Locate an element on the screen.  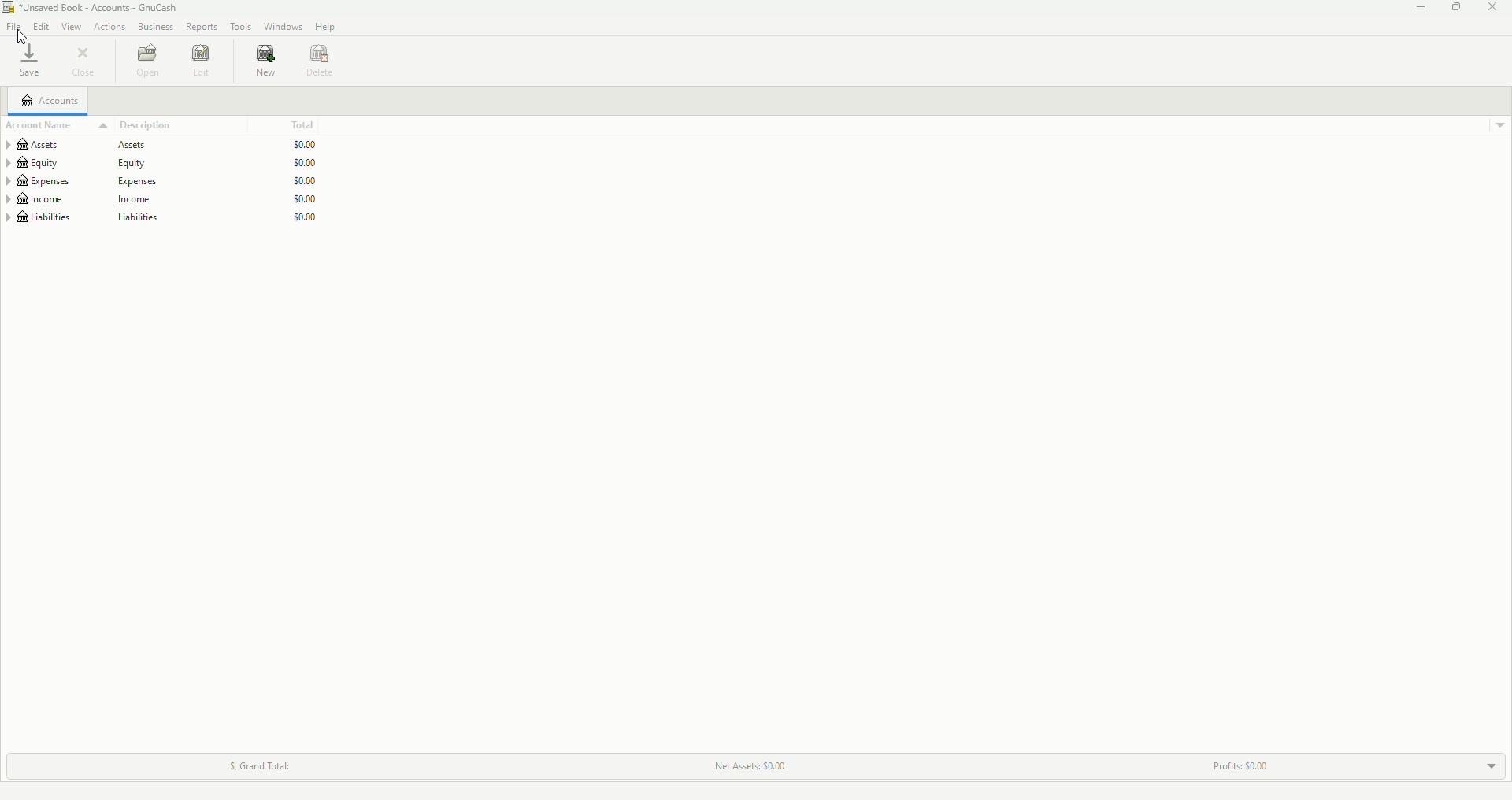
Actions is located at coordinates (108, 28).